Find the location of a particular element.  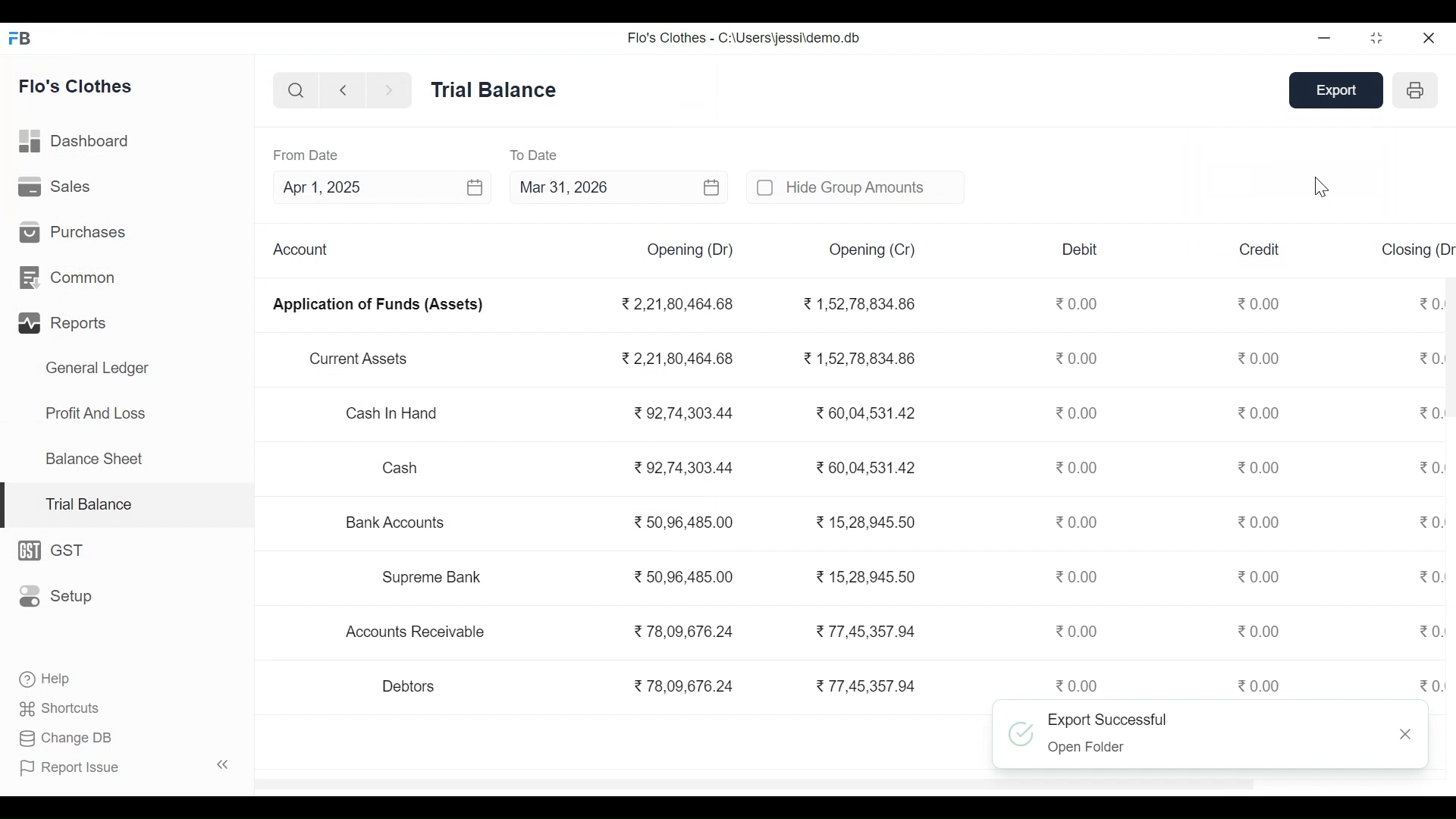

Supreme Bank is located at coordinates (438, 577).